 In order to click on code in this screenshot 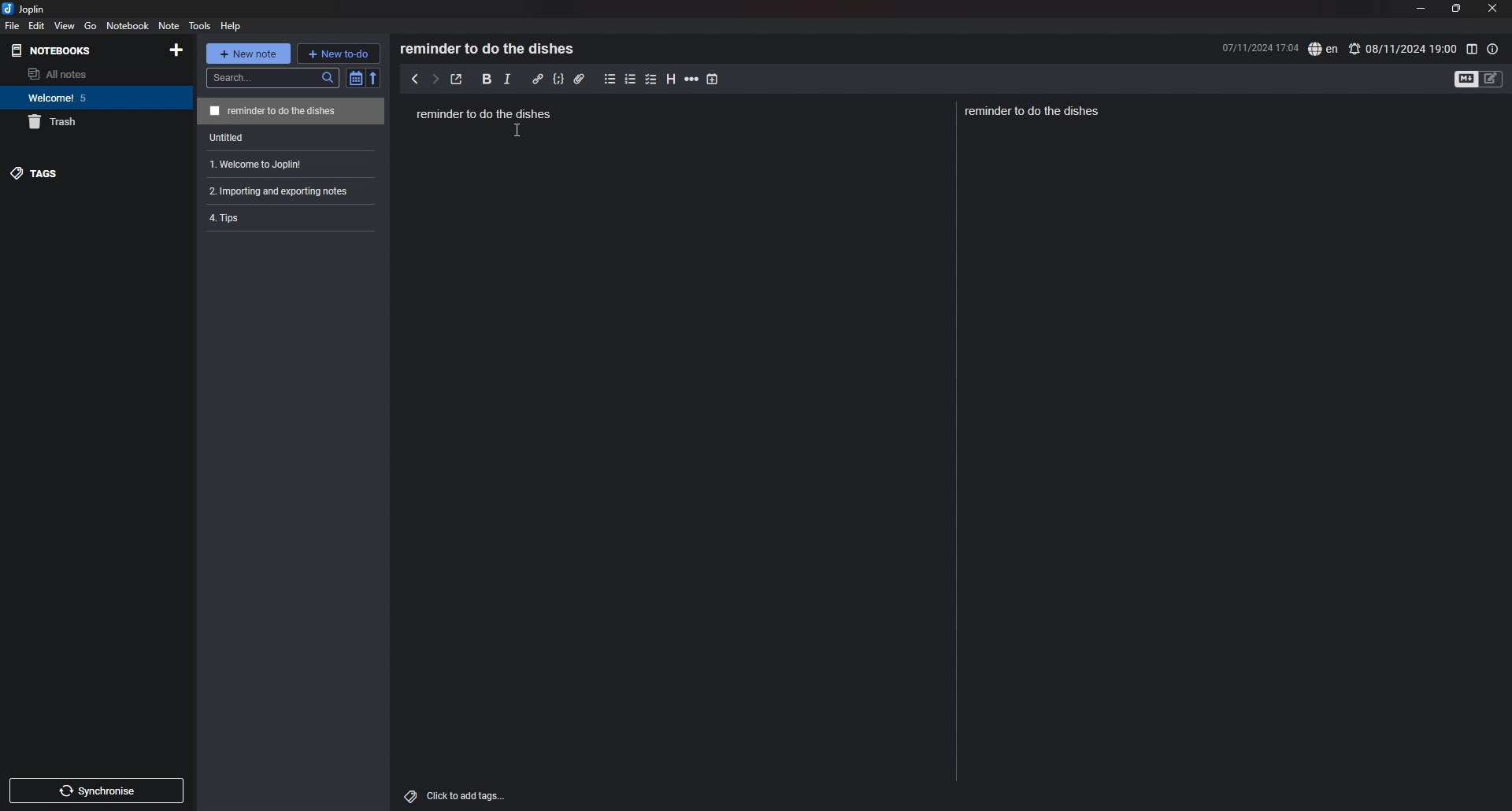, I will do `click(559, 80)`.